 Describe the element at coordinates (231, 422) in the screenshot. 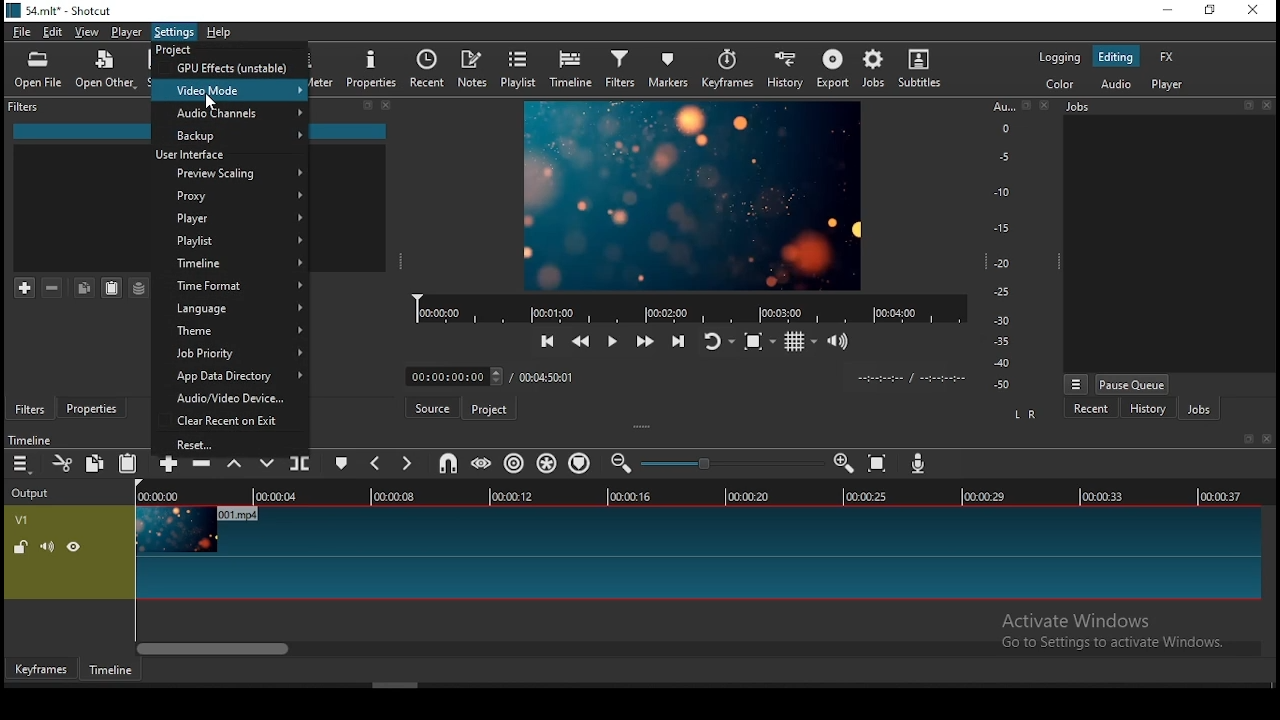

I see `clear recent on exit` at that location.